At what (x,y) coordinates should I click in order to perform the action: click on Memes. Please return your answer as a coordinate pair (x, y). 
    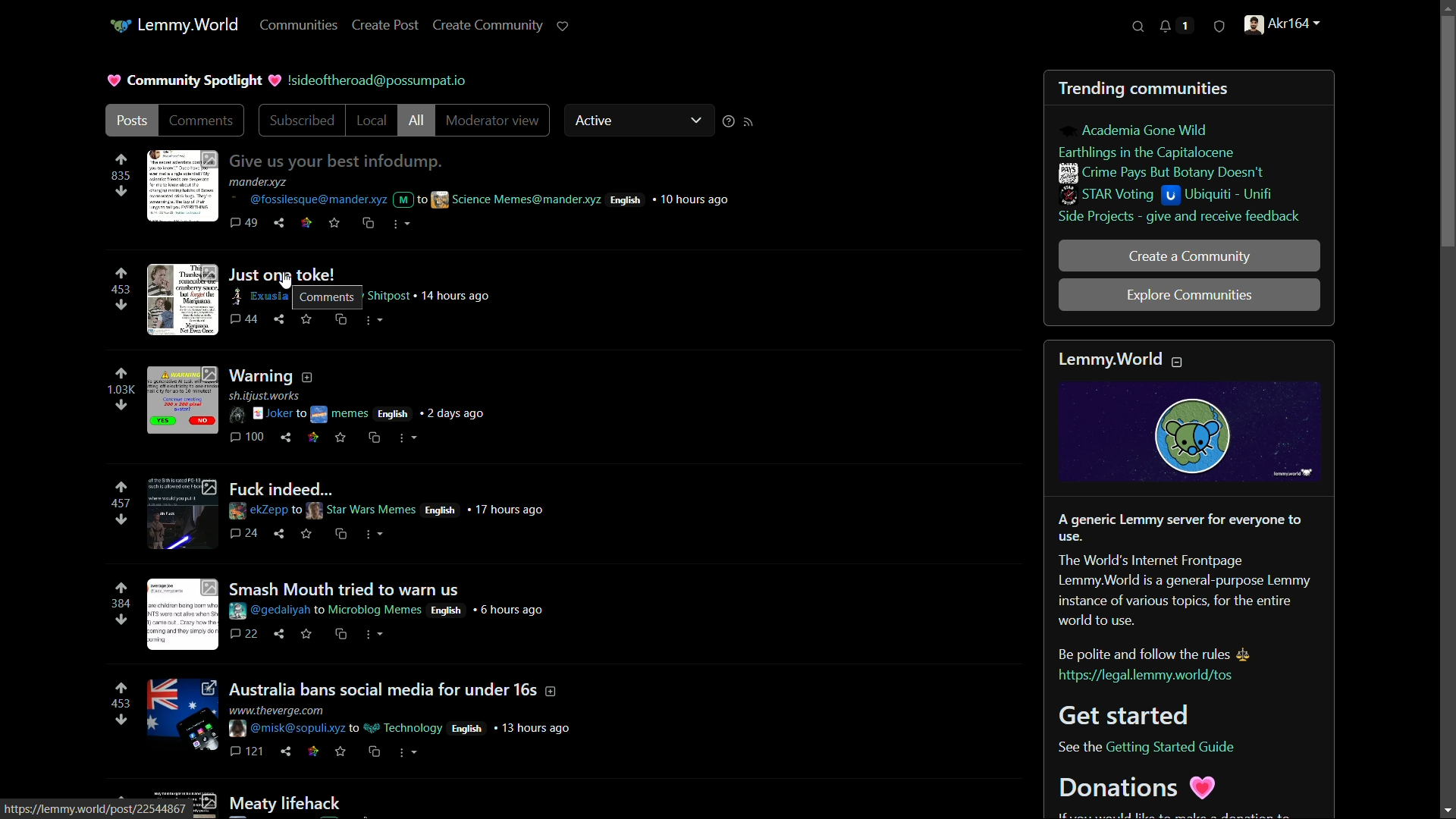
    Looking at the image, I should click on (341, 413).